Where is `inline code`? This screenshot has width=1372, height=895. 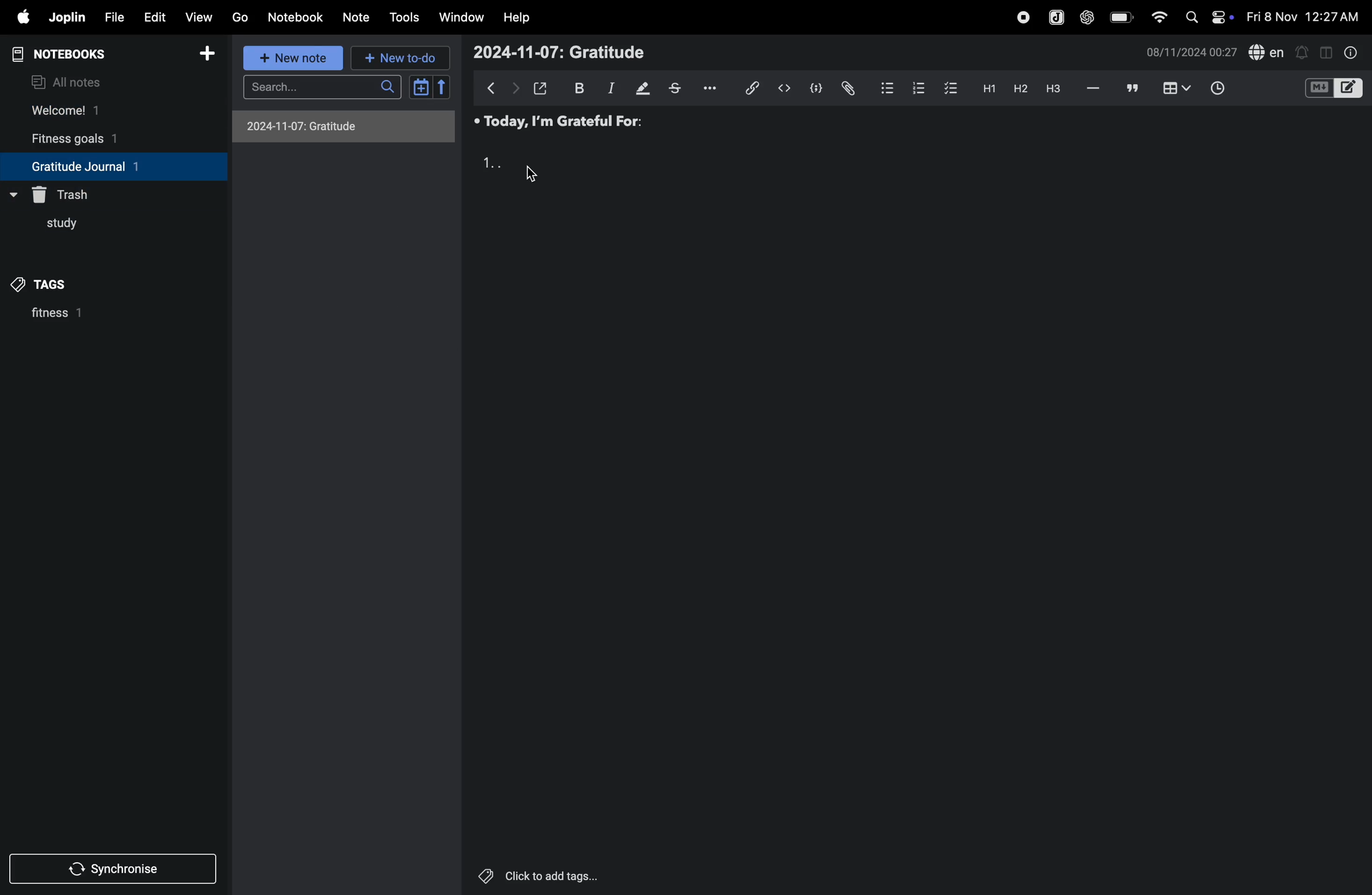 inline code is located at coordinates (782, 89).